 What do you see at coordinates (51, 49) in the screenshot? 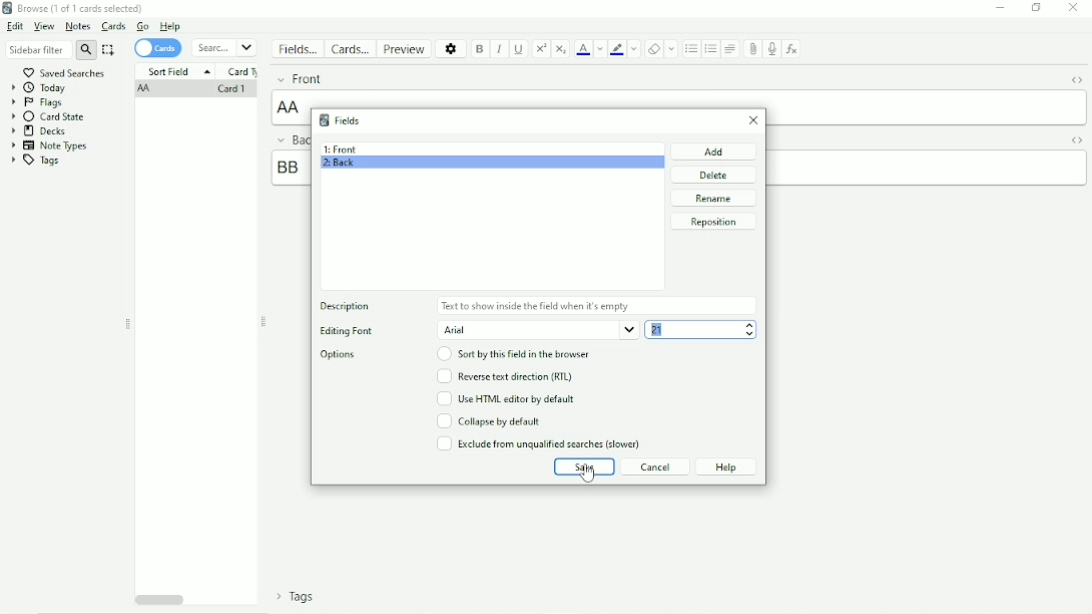
I see `Sidebar filter` at bounding box center [51, 49].